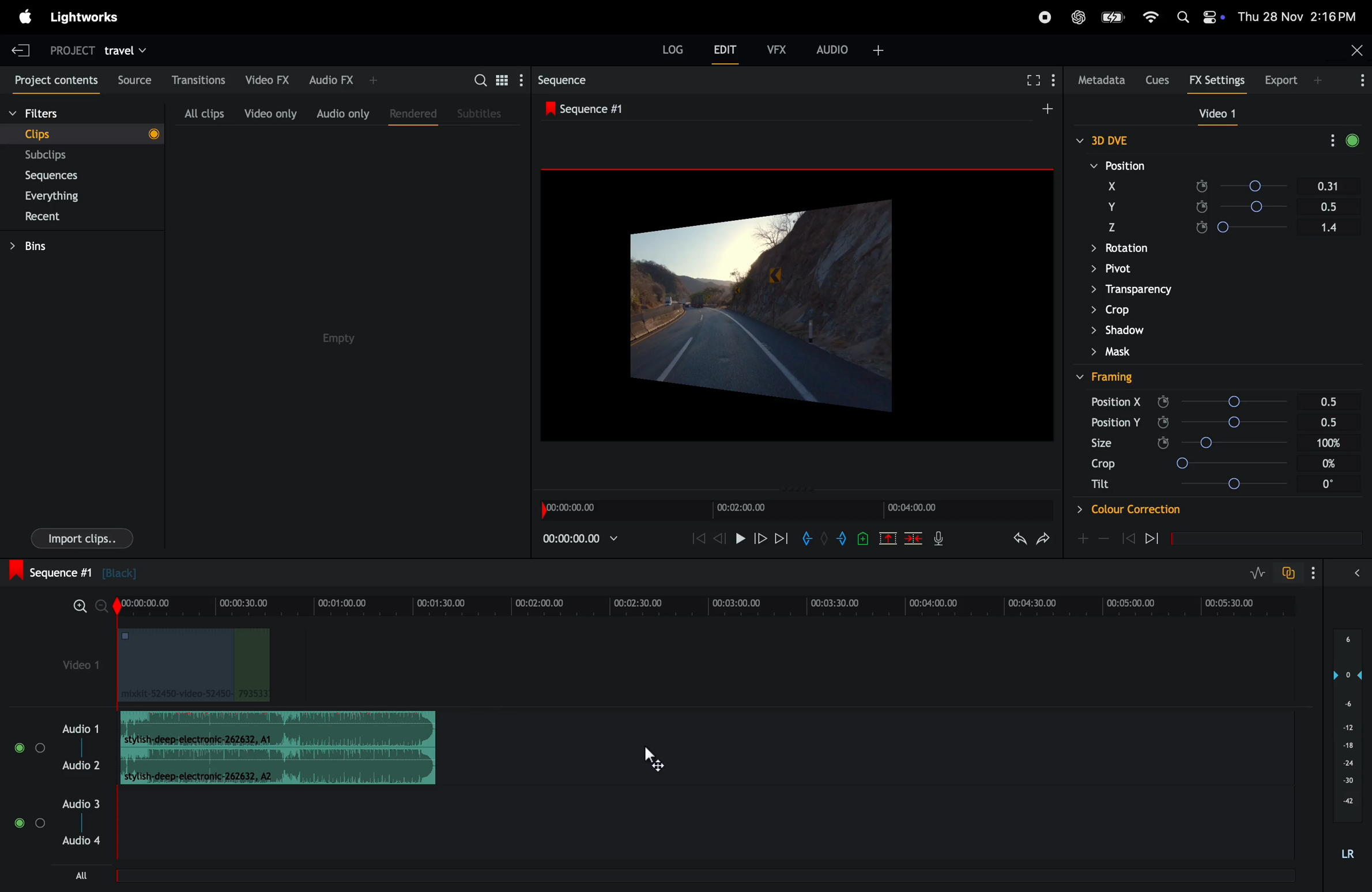 This screenshot has width=1372, height=892. Describe the element at coordinates (1302, 16) in the screenshot. I see `date and time` at that location.